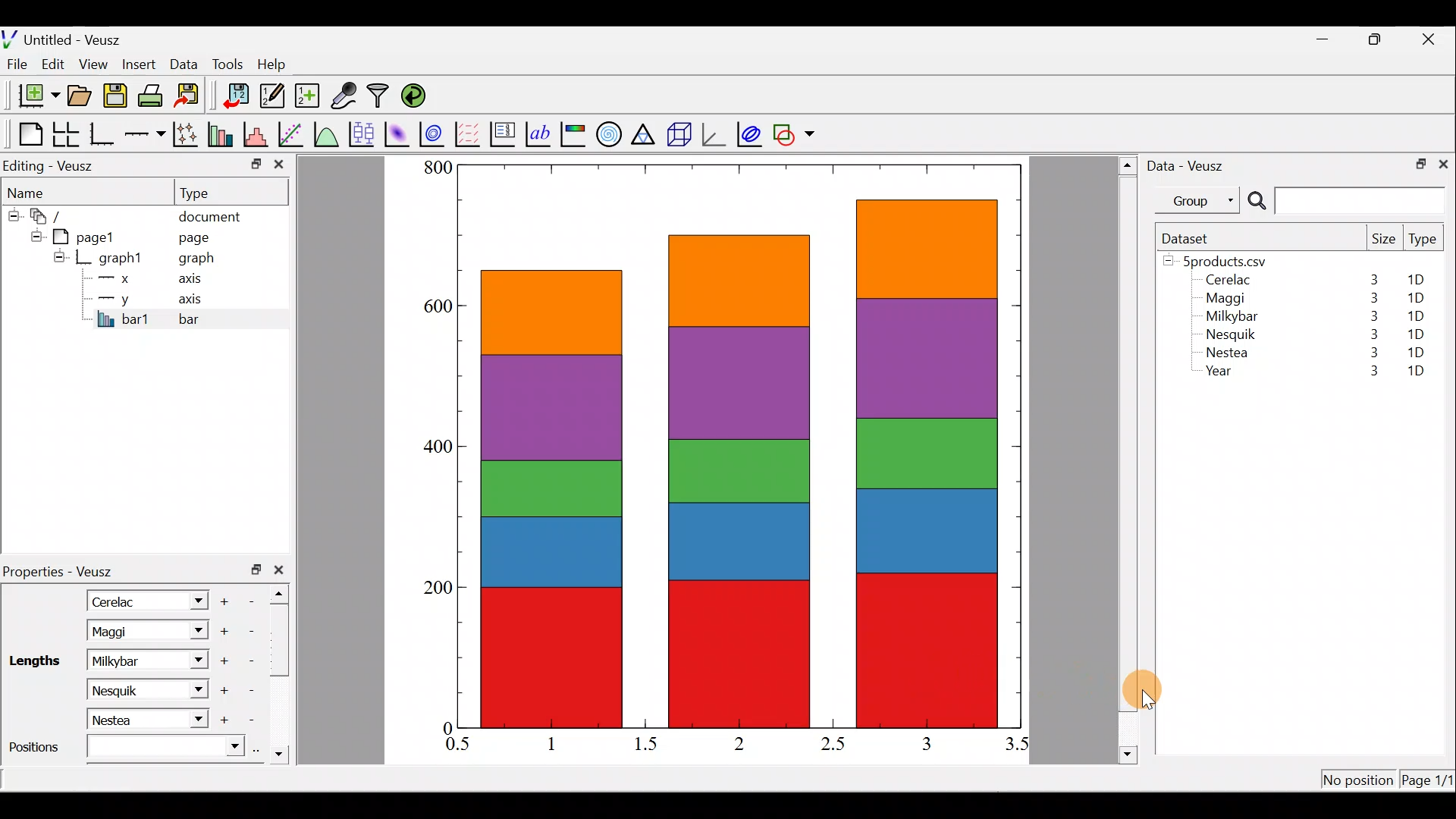 This screenshot has width=1456, height=819. I want to click on bar chart inserted, so click(741, 444).